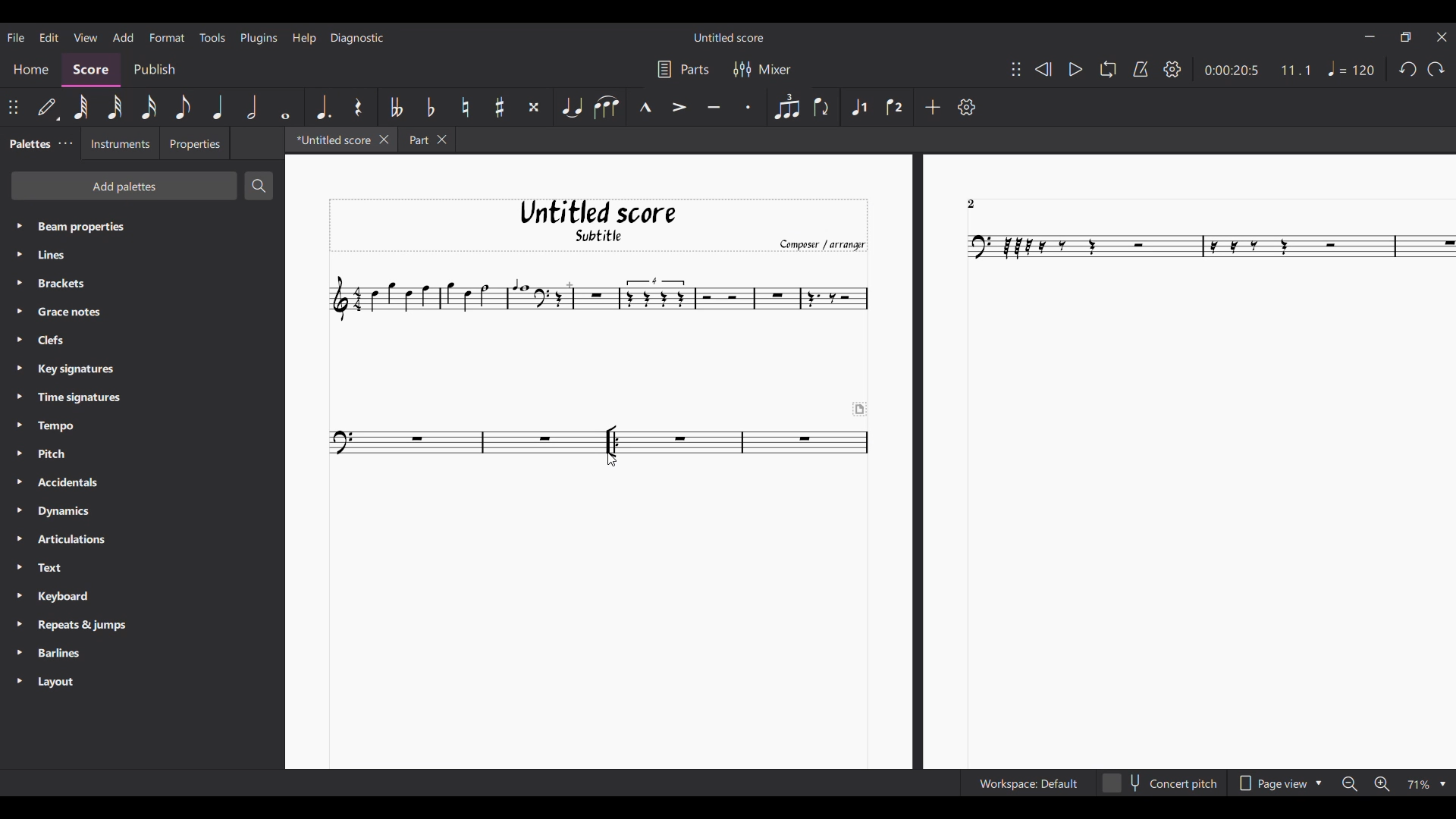 This screenshot has height=819, width=1456. I want to click on Diagnostic menu, so click(357, 39).